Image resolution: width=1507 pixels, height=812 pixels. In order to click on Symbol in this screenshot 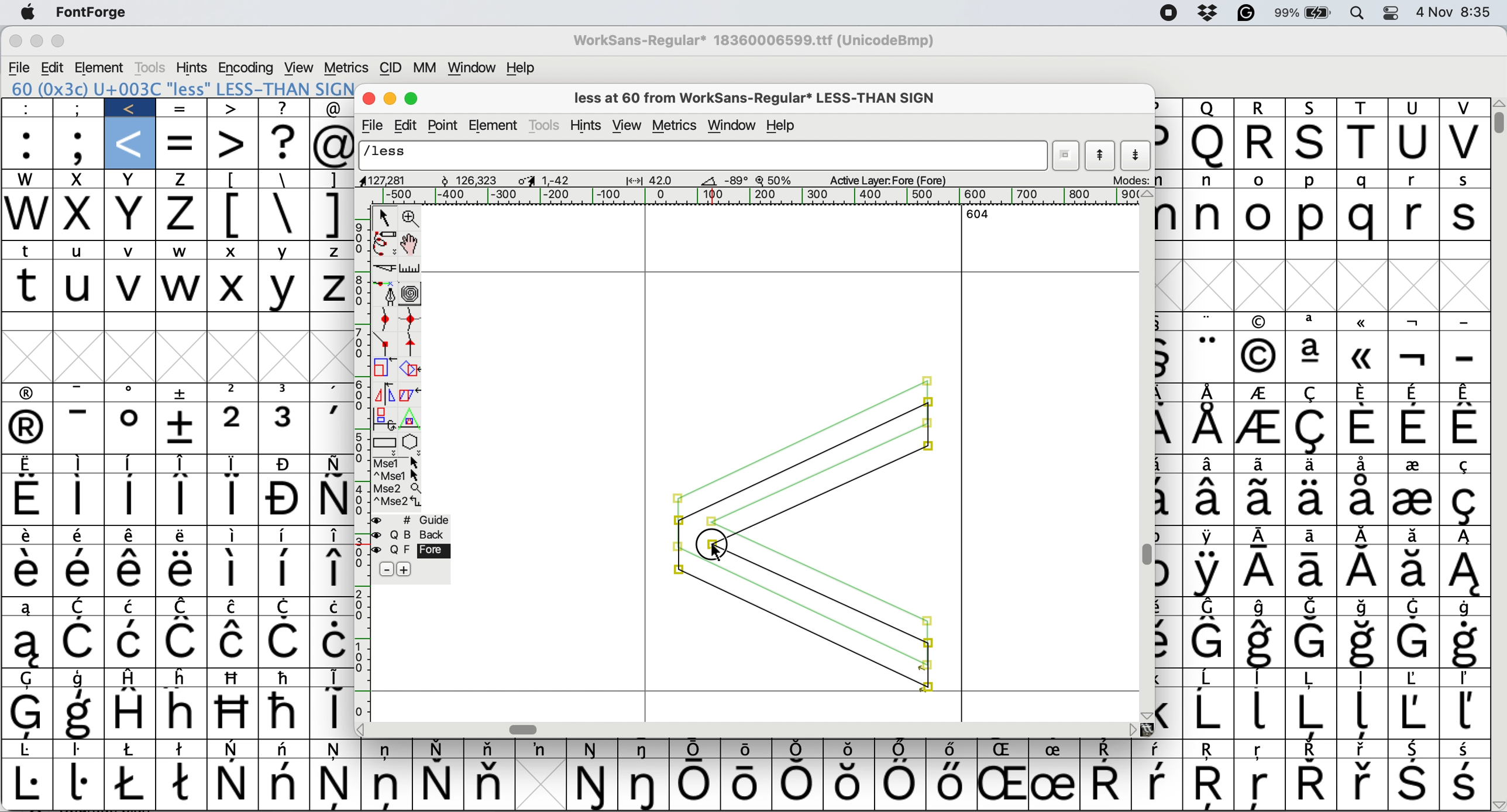, I will do `click(232, 712)`.